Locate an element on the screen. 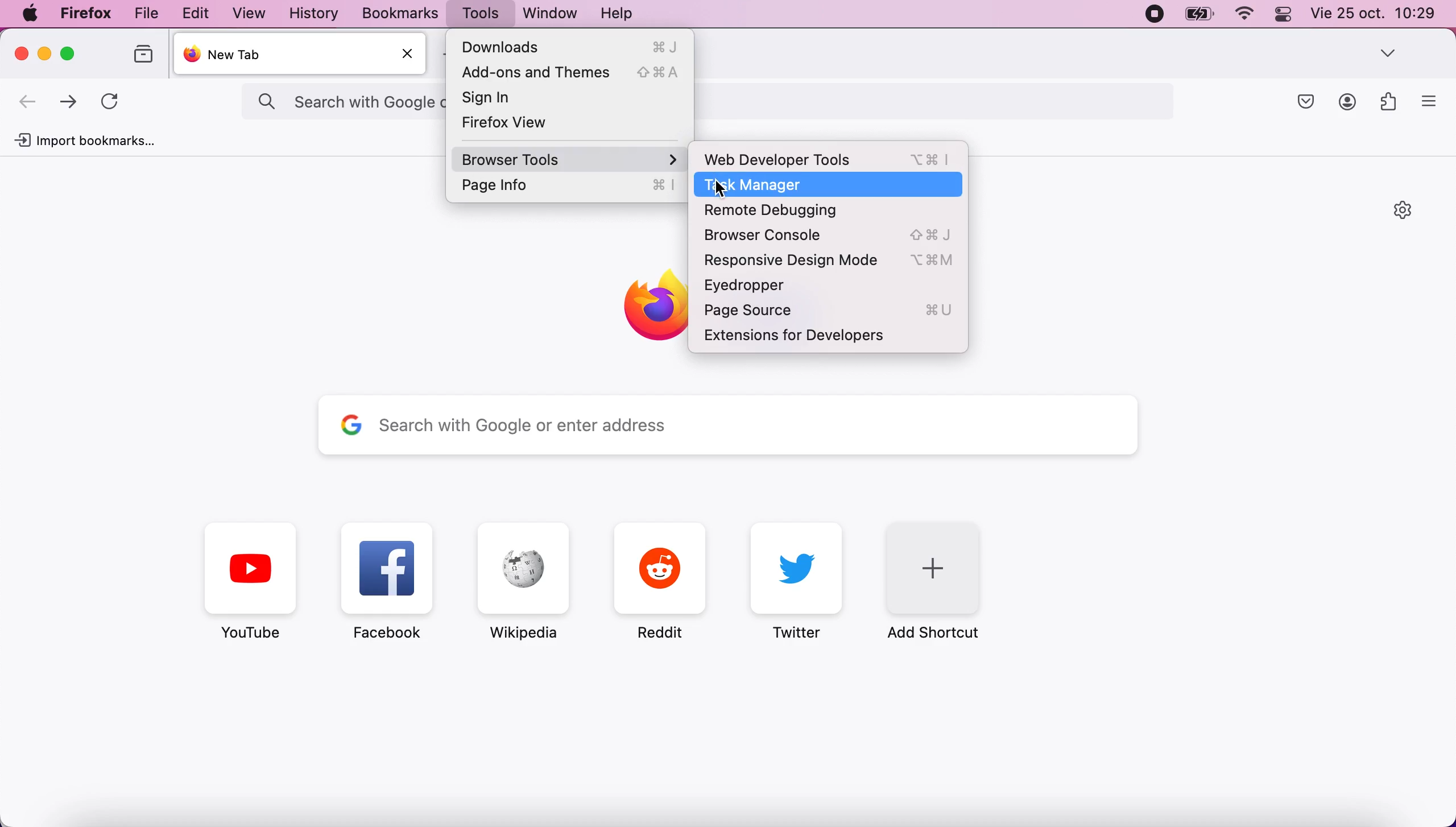  Facebook is located at coordinates (388, 581).